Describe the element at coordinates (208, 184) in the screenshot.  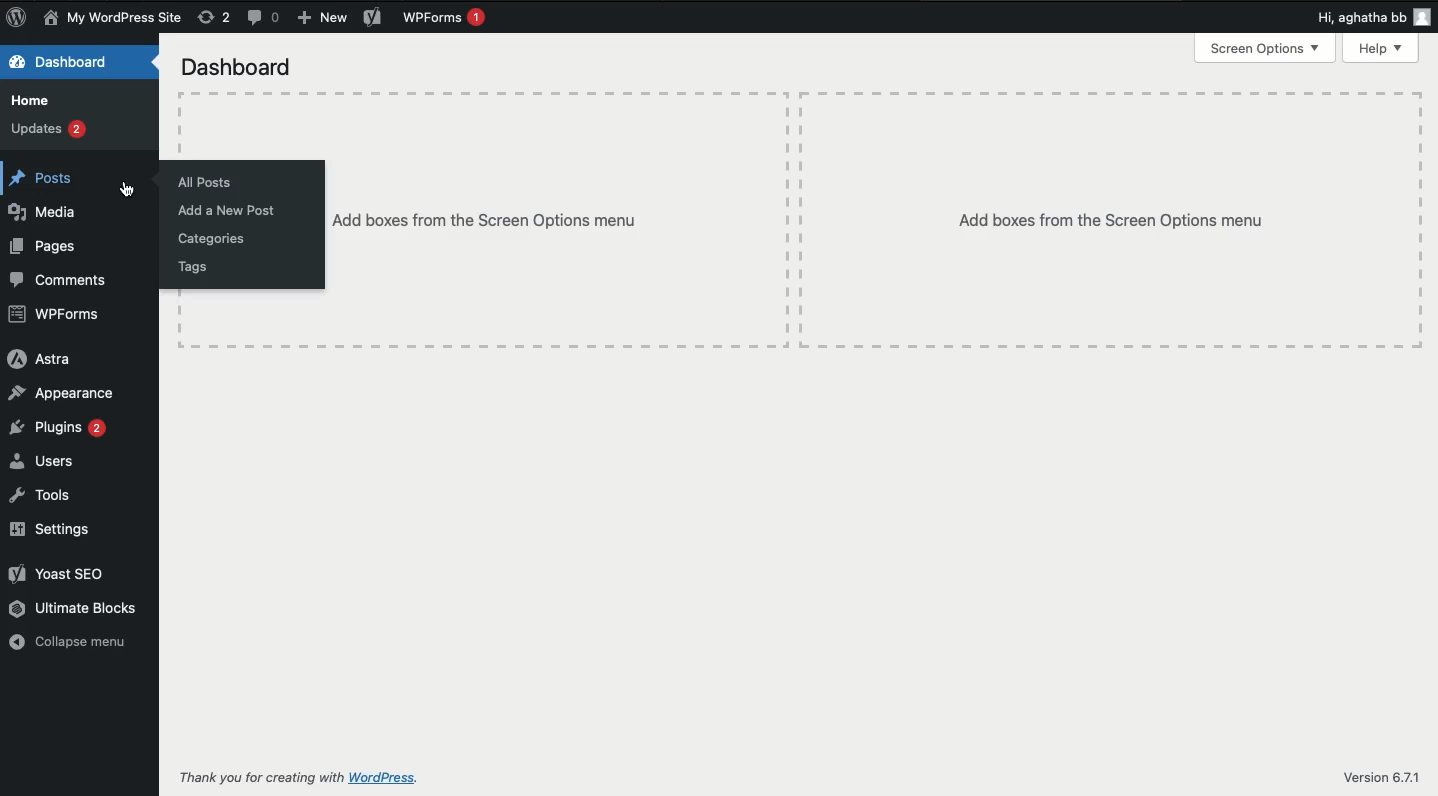
I see `All posts` at that location.